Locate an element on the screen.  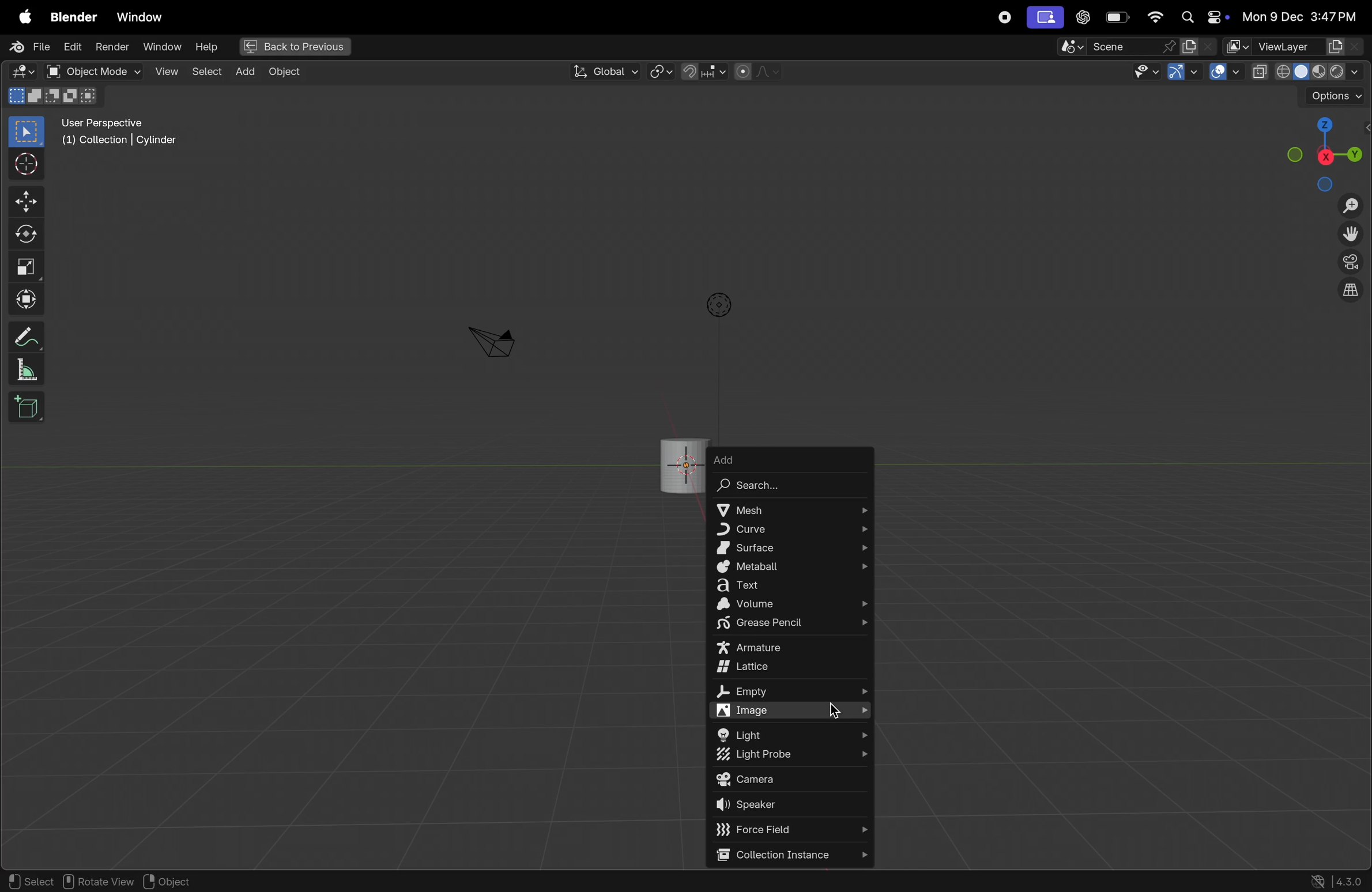
visibility is located at coordinates (1145, 72).